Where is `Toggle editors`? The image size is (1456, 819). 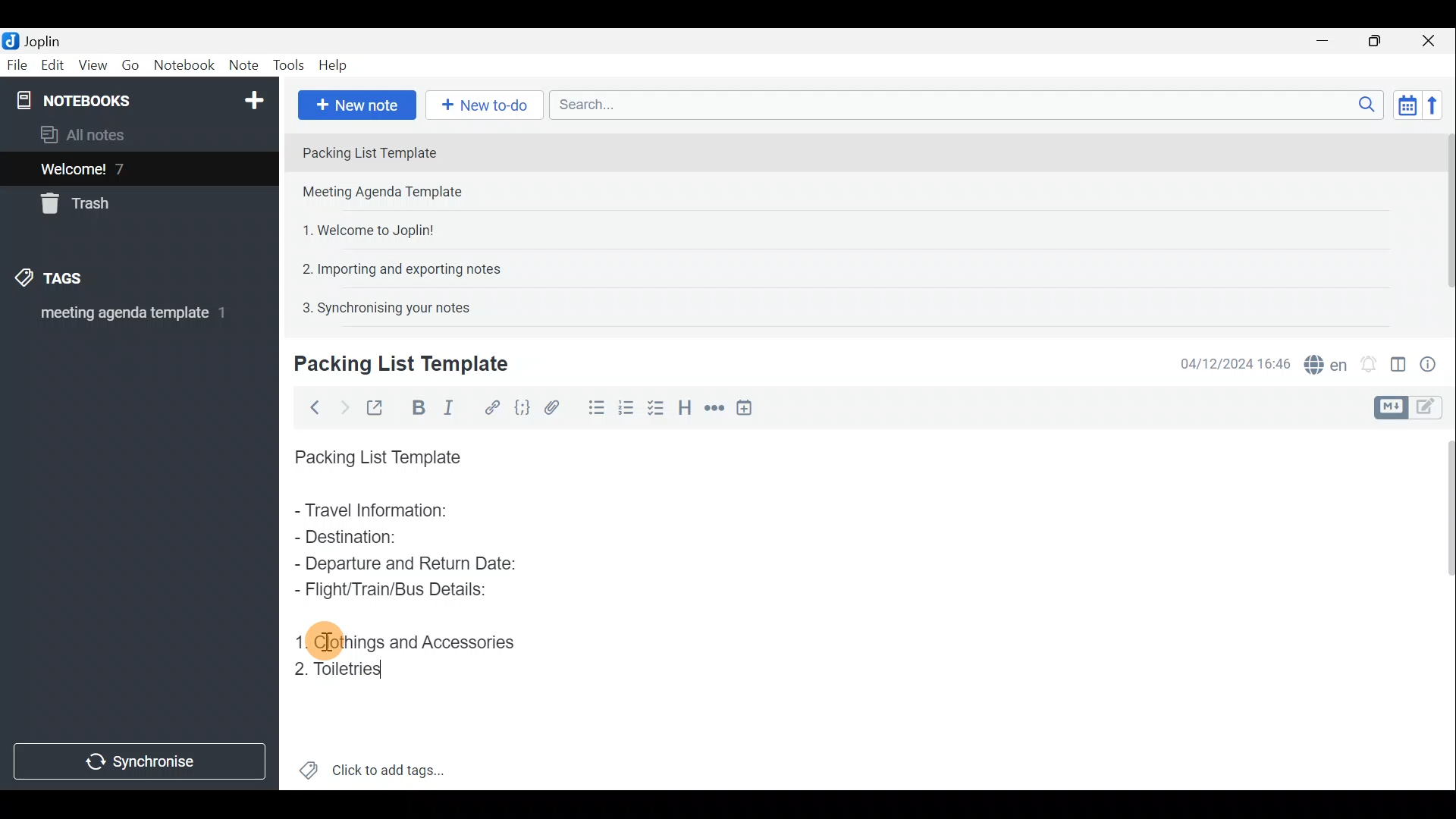 Toggle editors is located at coordinates (1393, 406).